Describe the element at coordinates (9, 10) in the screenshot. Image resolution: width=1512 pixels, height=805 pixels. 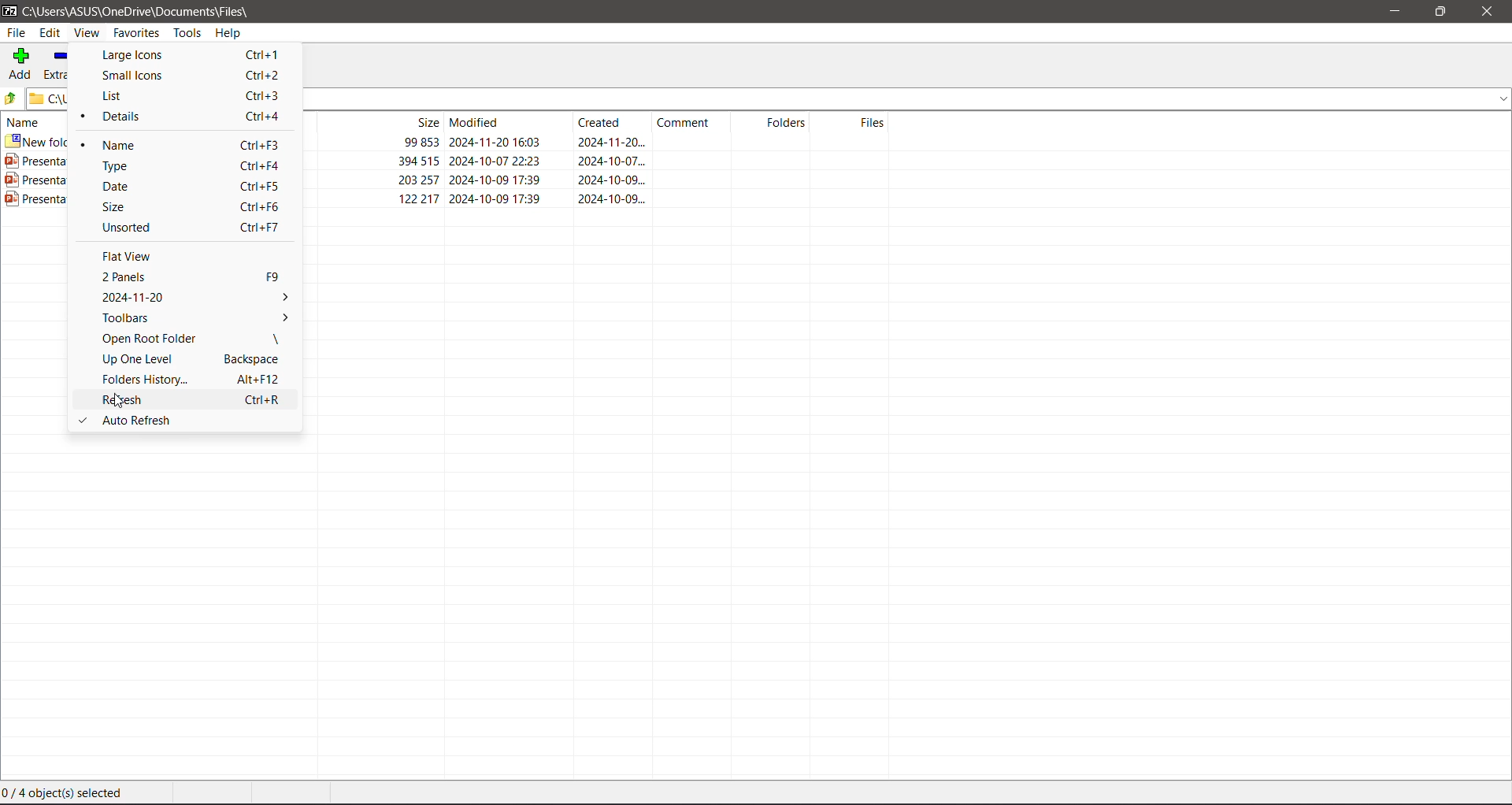
I see `Application Logo` at that location.